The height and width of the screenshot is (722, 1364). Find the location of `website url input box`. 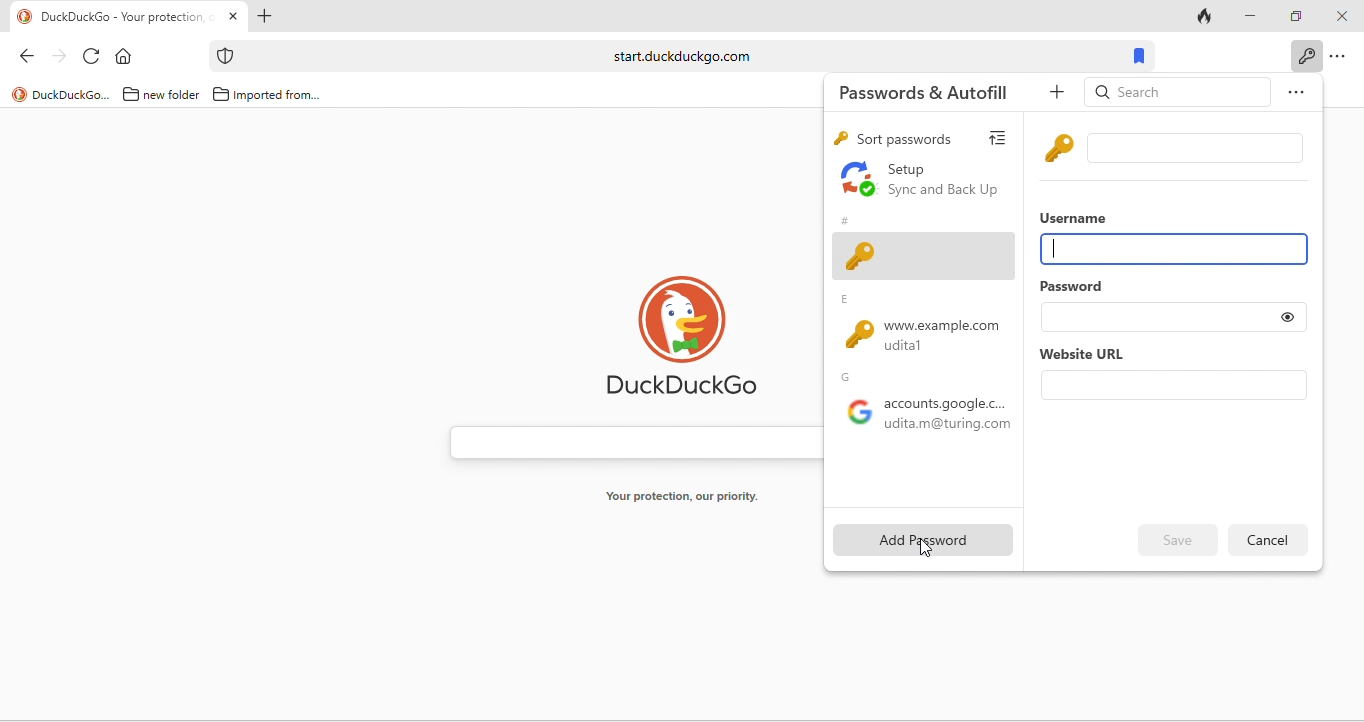

website url input box is located at coordinates (1175, 386).